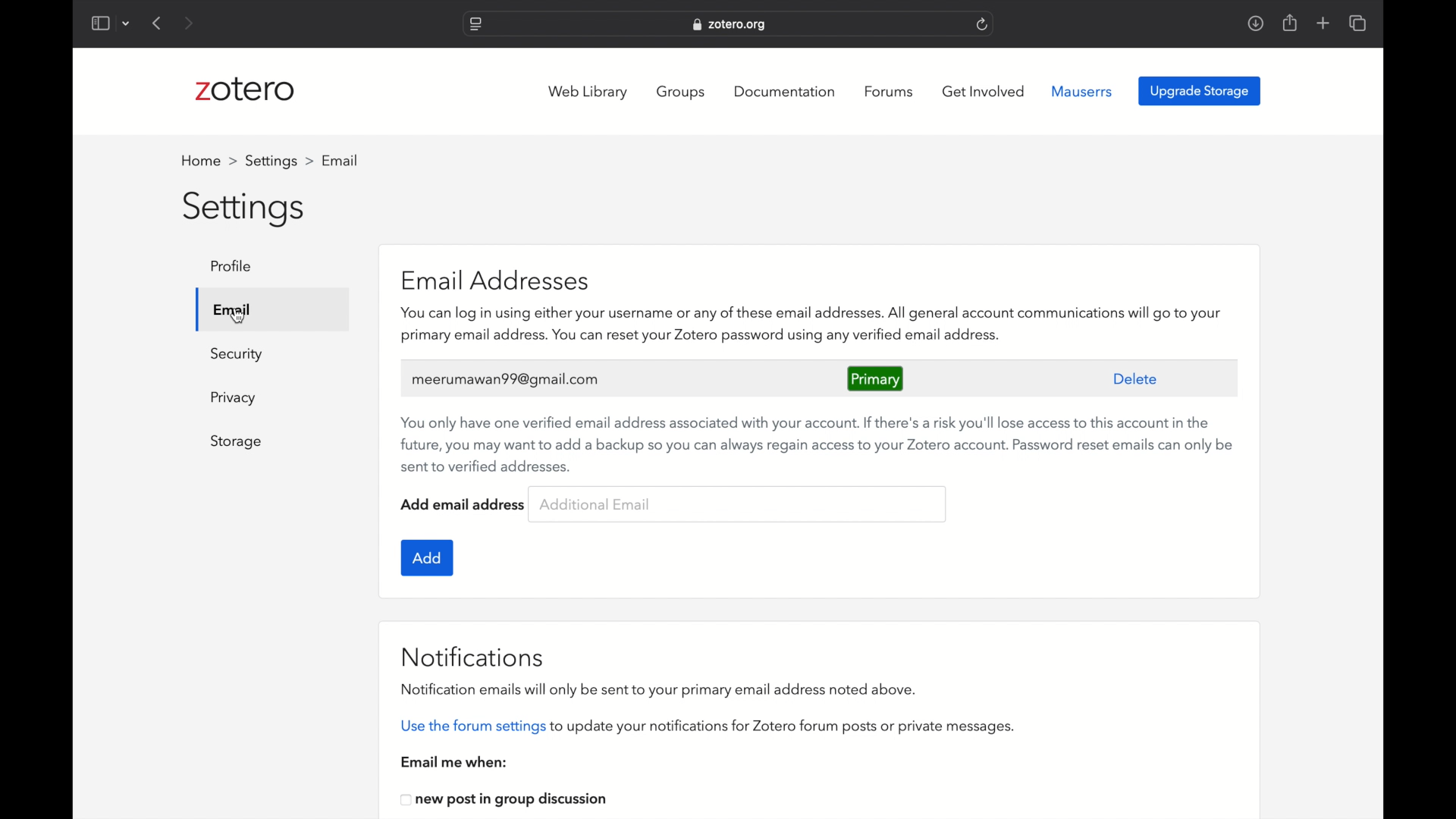 The image size is (1456, 819). I want to click on delete, so click(1136, 379).